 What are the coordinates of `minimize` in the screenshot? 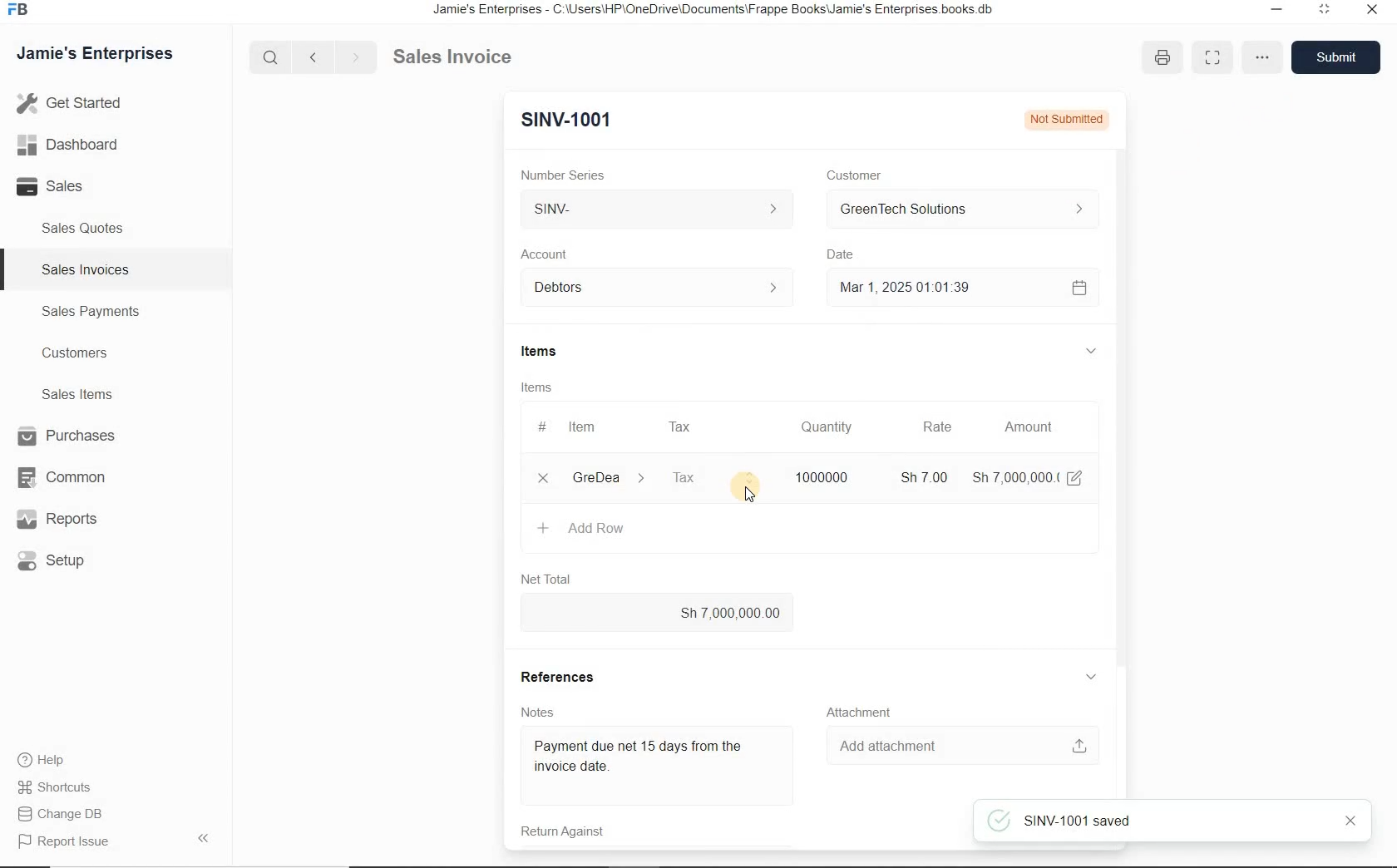 It's located at (1324, 12).